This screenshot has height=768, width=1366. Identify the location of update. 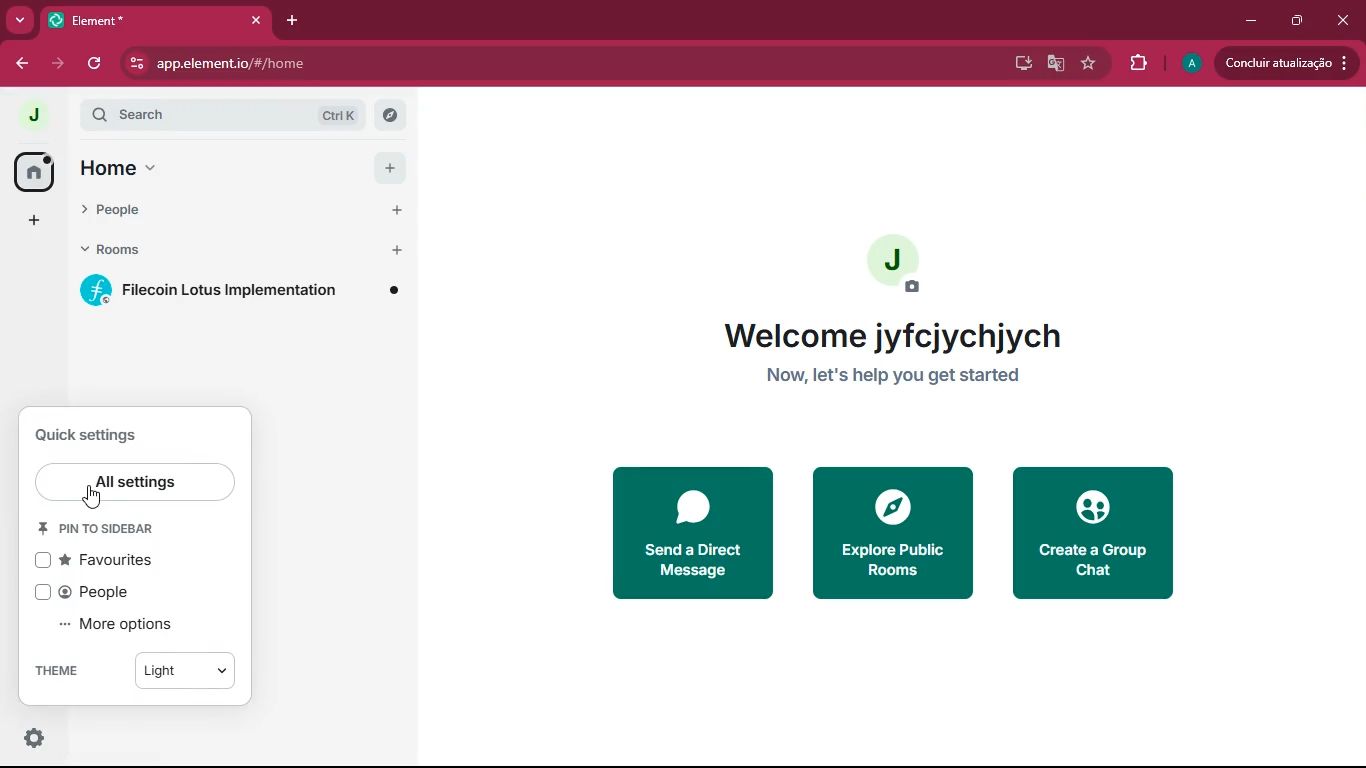
(1283, 63).